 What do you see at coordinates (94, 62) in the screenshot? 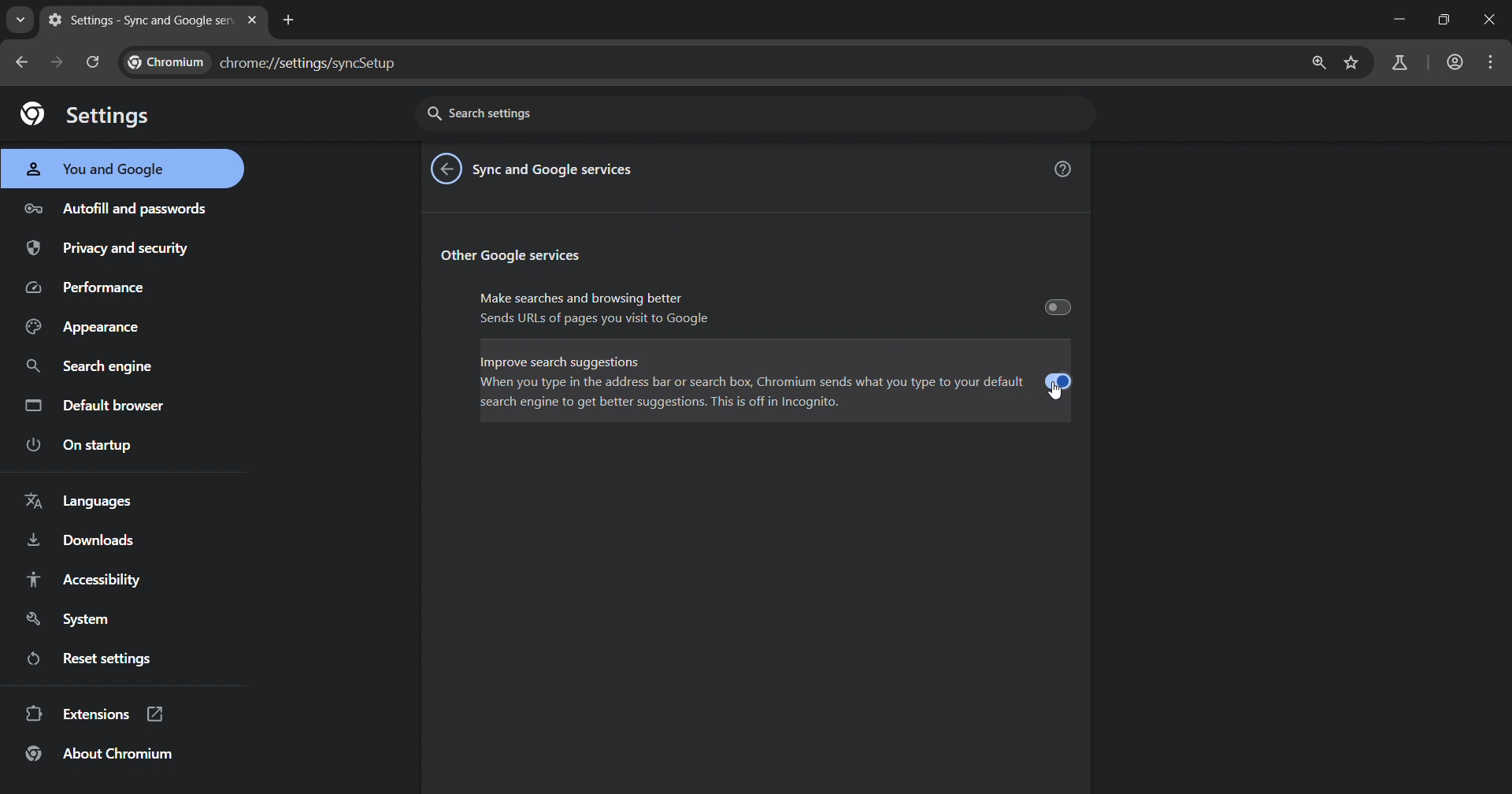
I see `reload page` at bounding box center [94, 62].